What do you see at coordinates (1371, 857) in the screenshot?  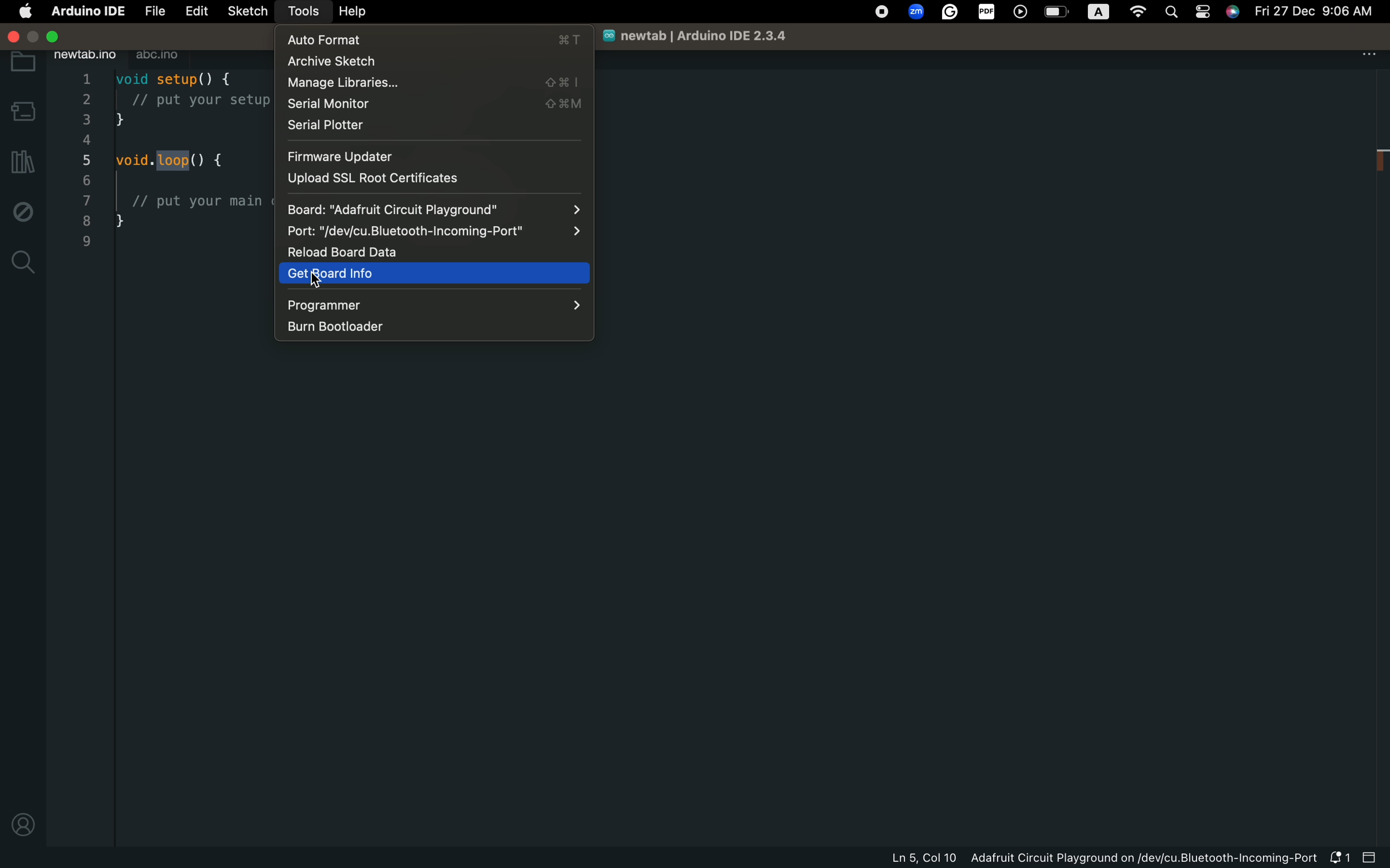 I see `close slide bar` at bounding box center [1371, 857].